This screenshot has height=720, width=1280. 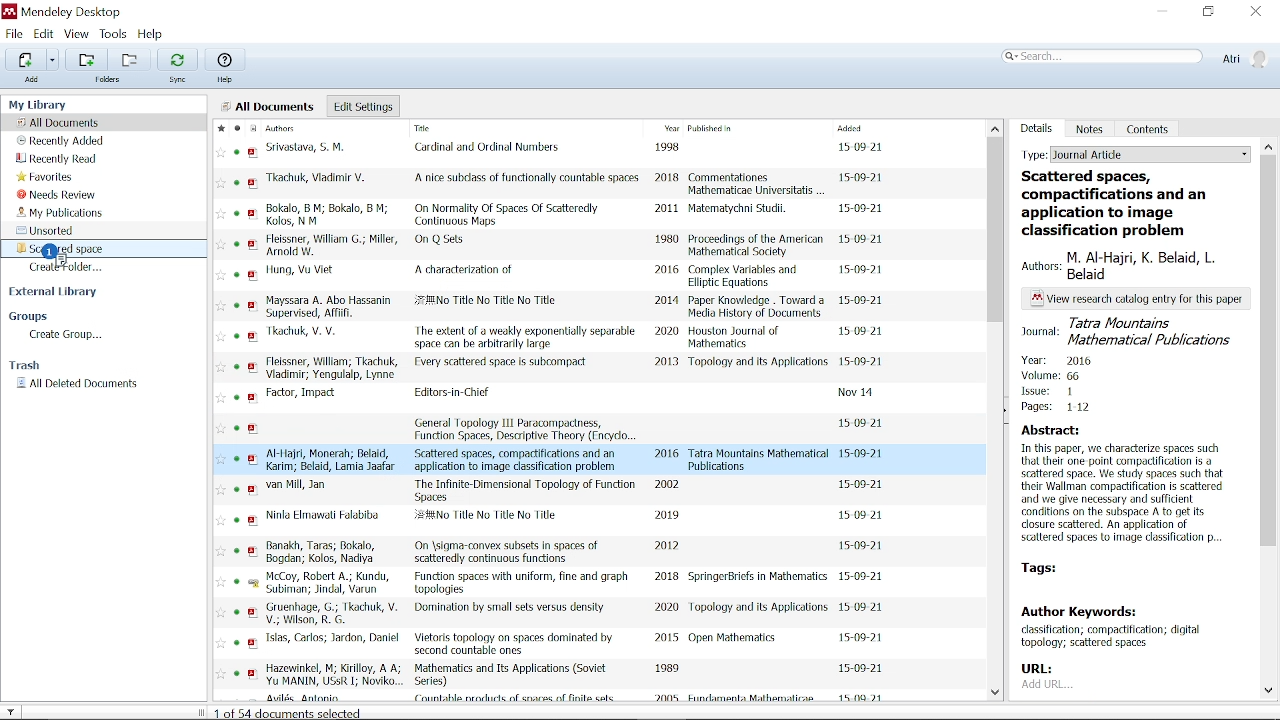 I want to click on Type of the current folder, so click(x=1135, y=153).